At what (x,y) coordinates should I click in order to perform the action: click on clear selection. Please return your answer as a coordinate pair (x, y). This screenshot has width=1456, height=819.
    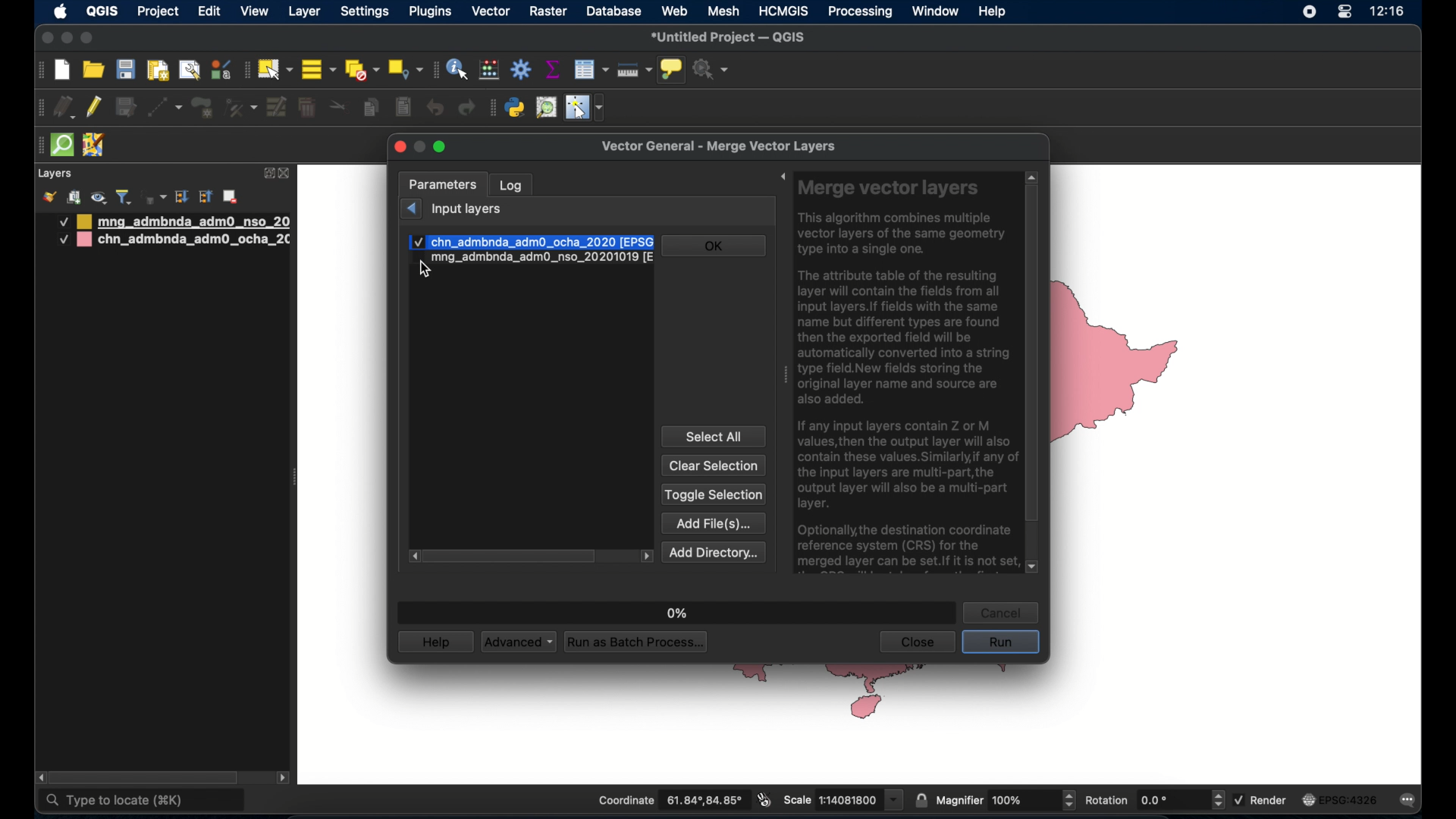
    Looking at the image, I should click on (714, 466).